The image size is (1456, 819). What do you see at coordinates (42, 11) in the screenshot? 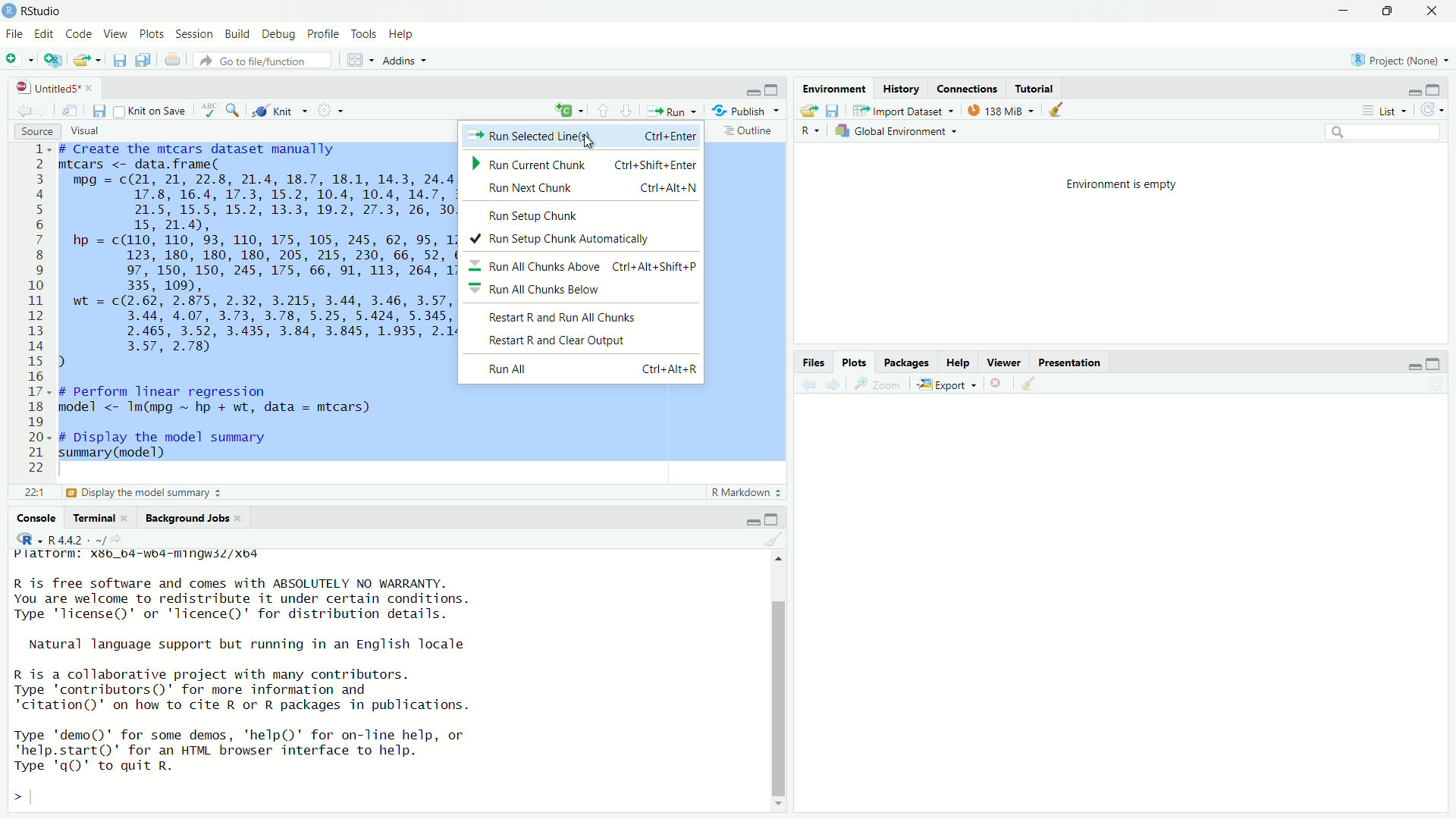
I see `RStudio` at bounding box center [42, 11].